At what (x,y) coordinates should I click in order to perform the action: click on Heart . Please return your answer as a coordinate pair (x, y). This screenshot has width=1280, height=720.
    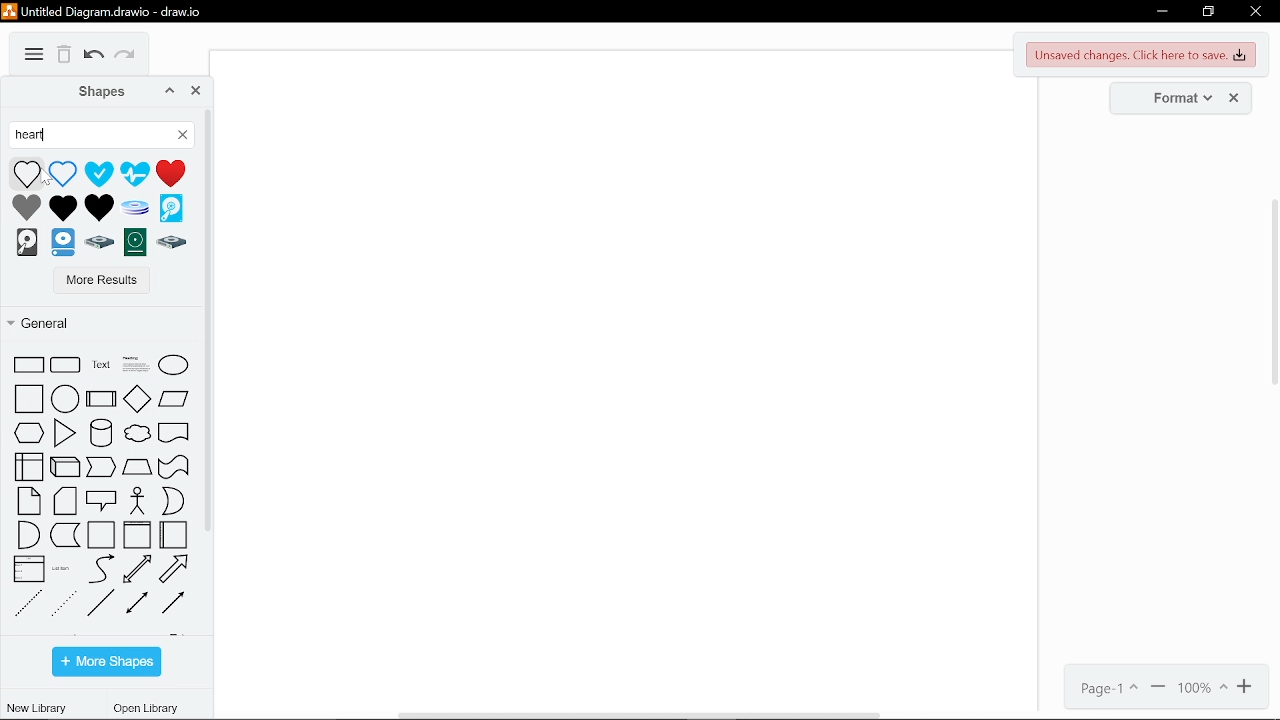
    Looking at the image, I should click on (26, 207).